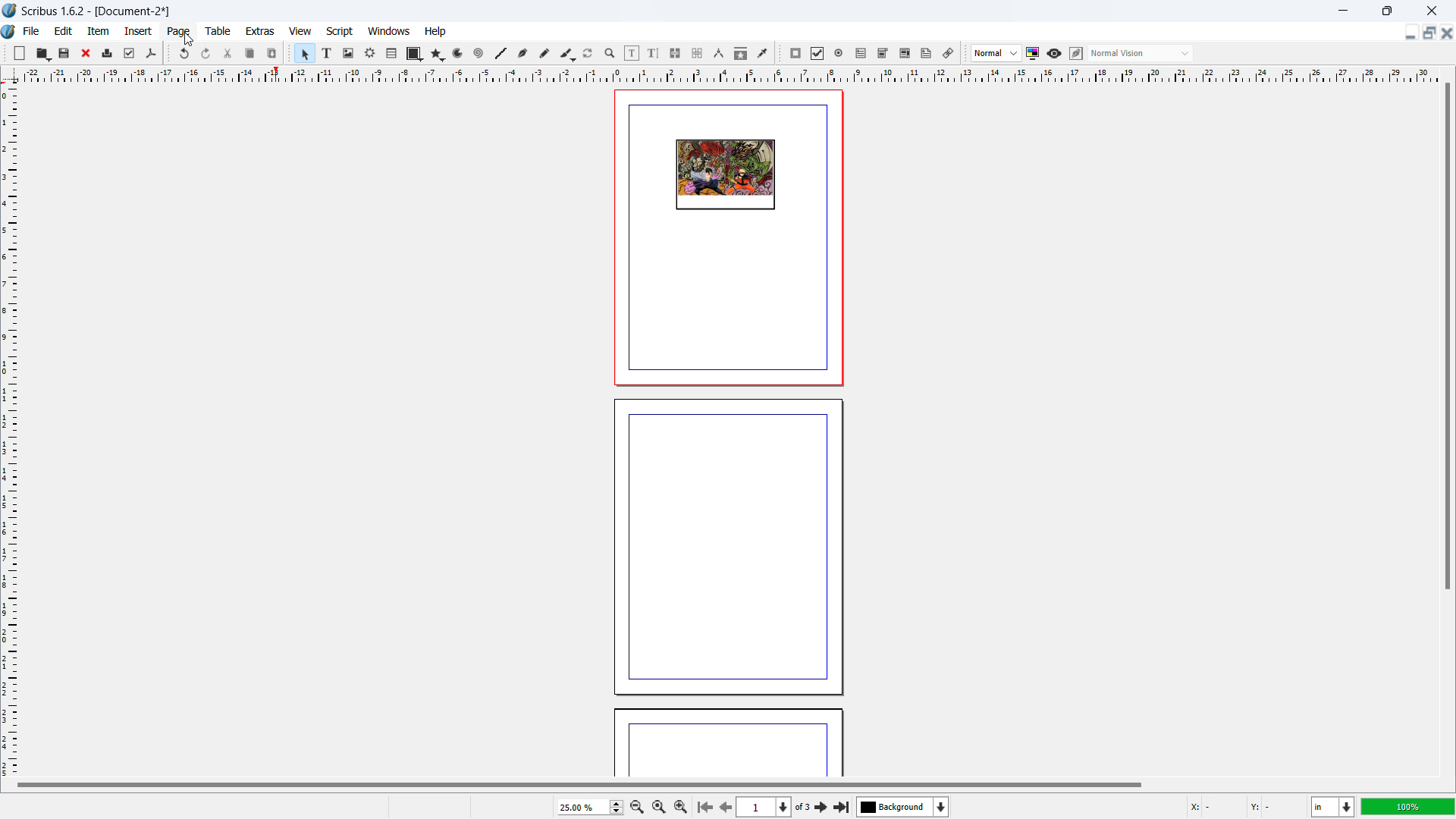 This screenshot has width=1456, height=819. What do you see at coordinates (1430, 10) in the screenshot?
I see `close window` at bounding box center [1430, 10].